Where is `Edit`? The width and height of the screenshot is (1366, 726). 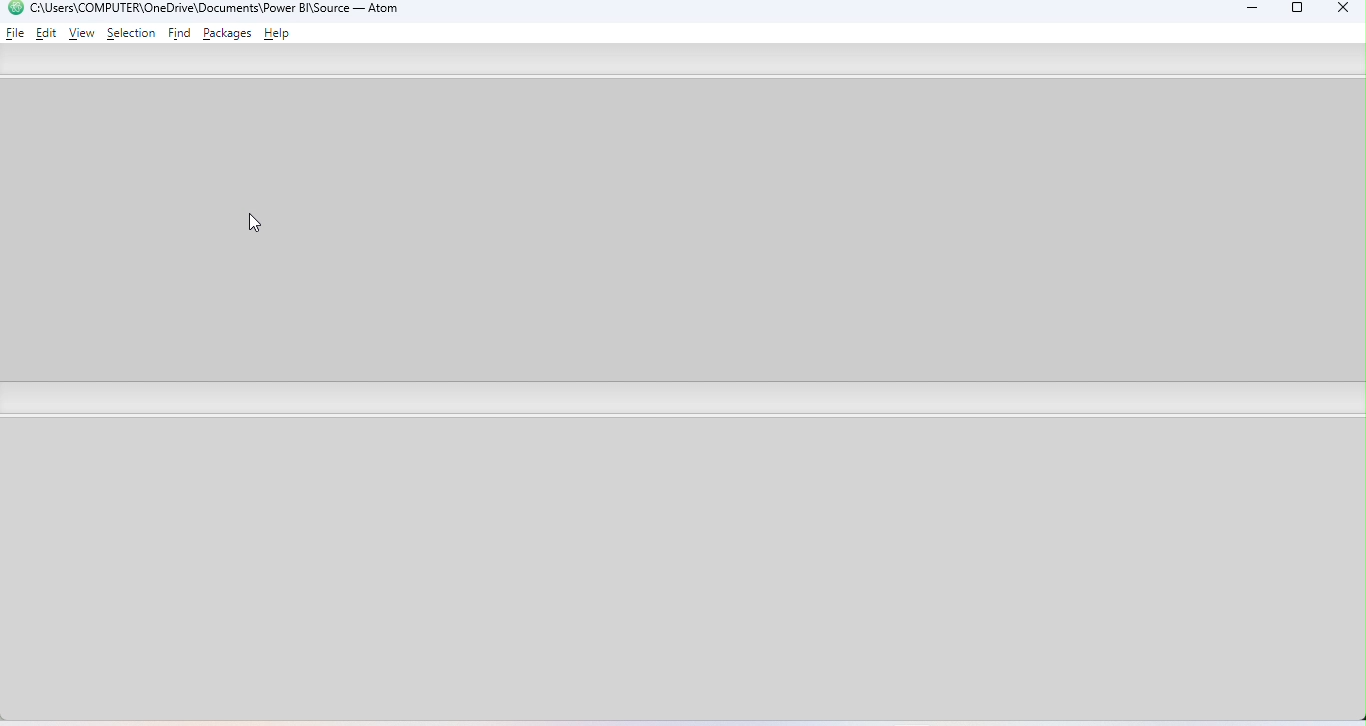 Edit is located at coordinates (48, 32).